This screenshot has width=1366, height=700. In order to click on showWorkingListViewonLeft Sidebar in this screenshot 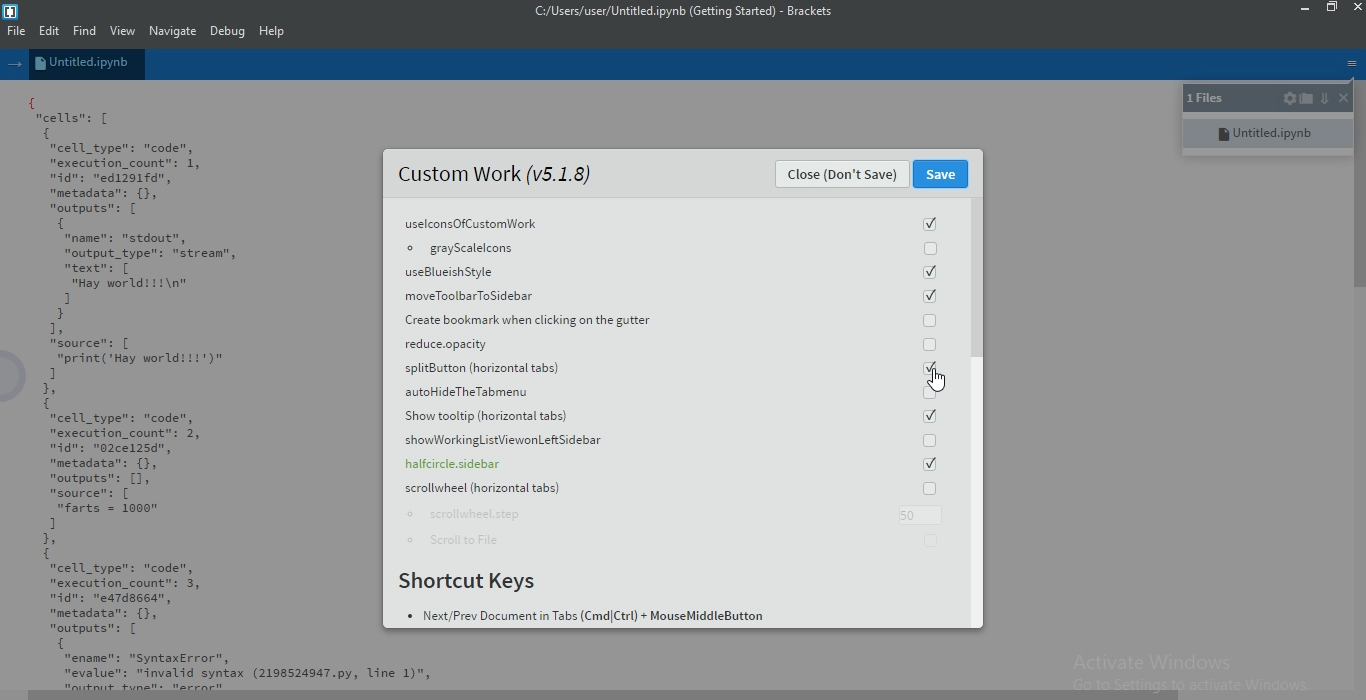, I will do `click(674, 441)`.